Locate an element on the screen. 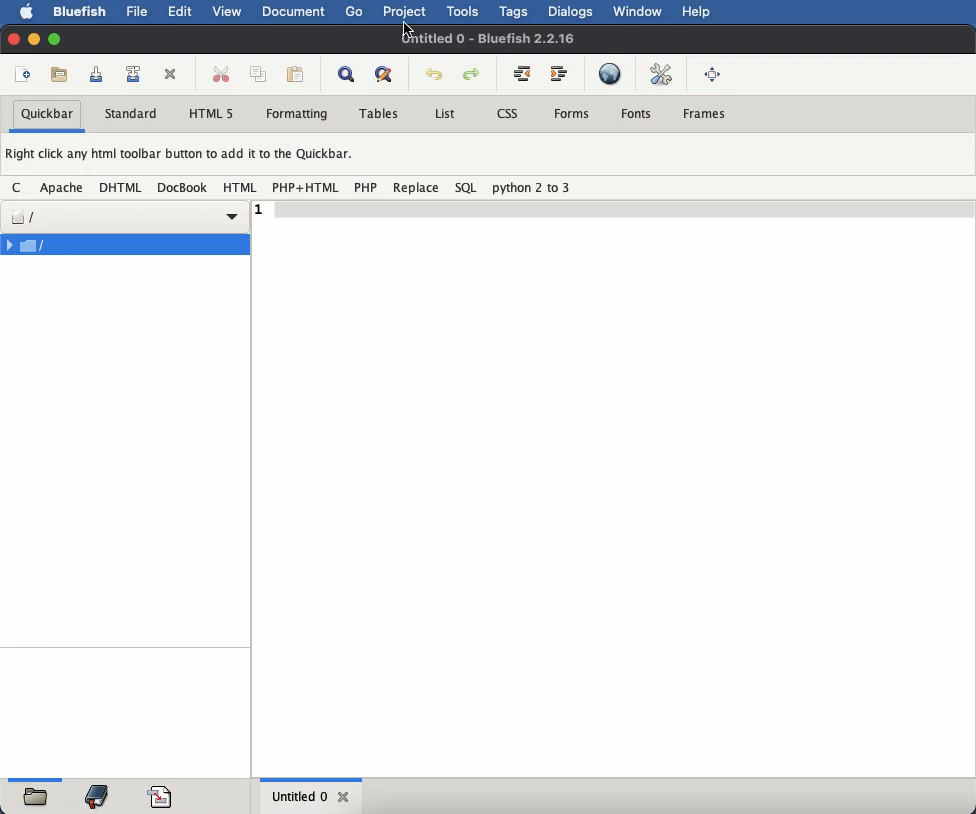  Untitled 0 - Bluefish 2.2.16 is located at coordinates (487, 39).